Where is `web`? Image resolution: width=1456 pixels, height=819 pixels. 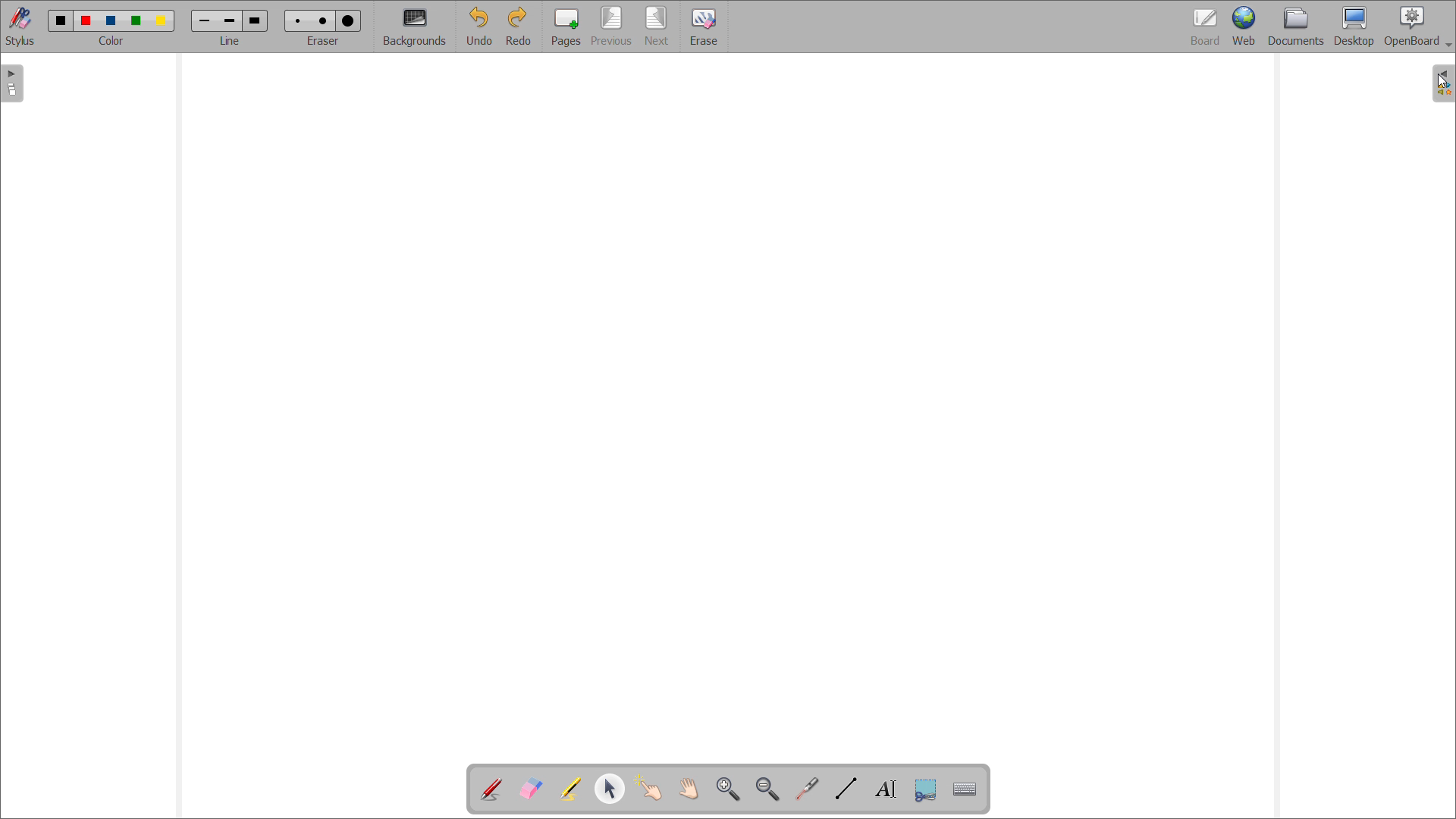 web is located at coordinates (1245, 27).